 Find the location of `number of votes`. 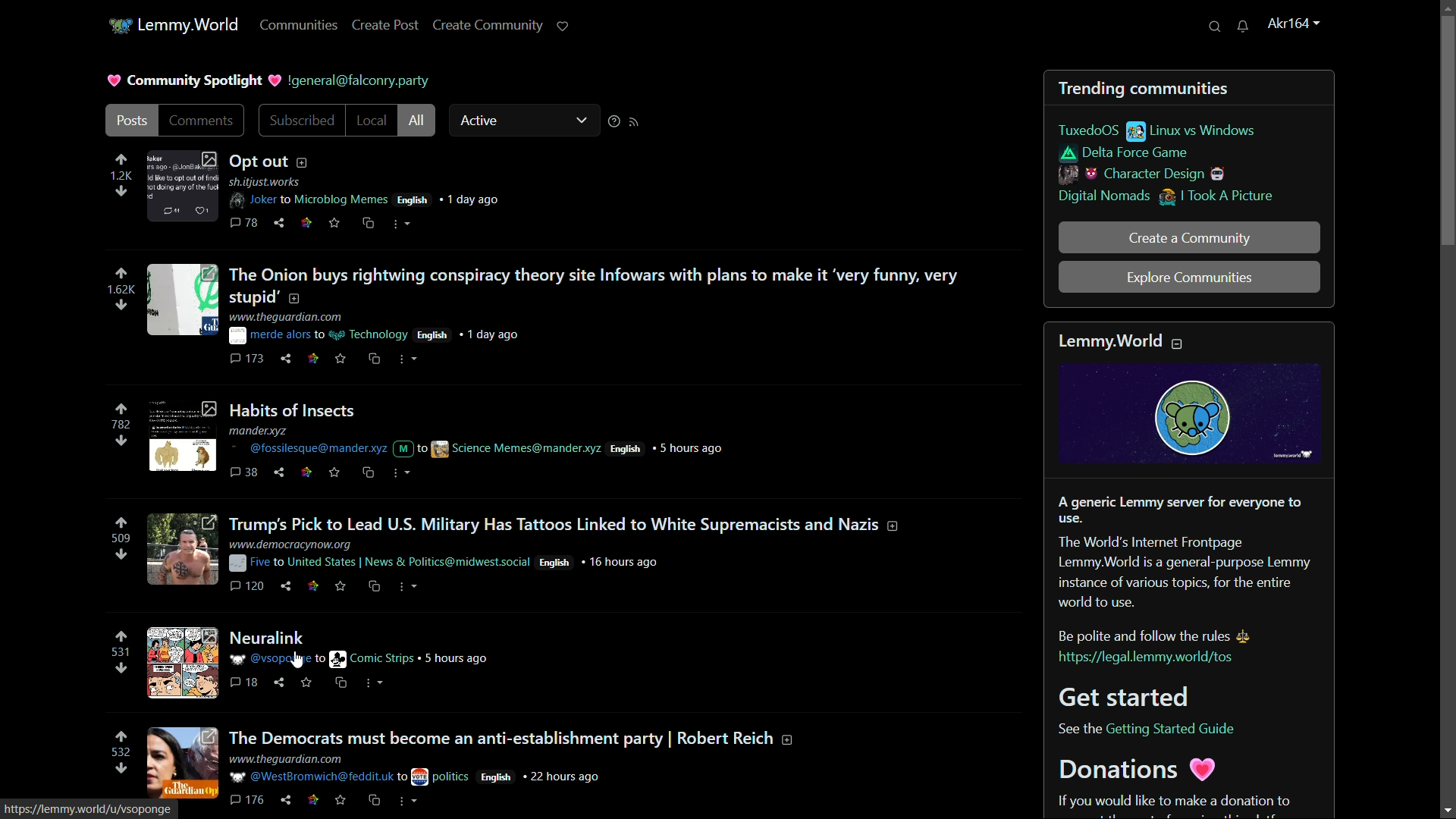

number of votes is located at coordinates (121, 654).